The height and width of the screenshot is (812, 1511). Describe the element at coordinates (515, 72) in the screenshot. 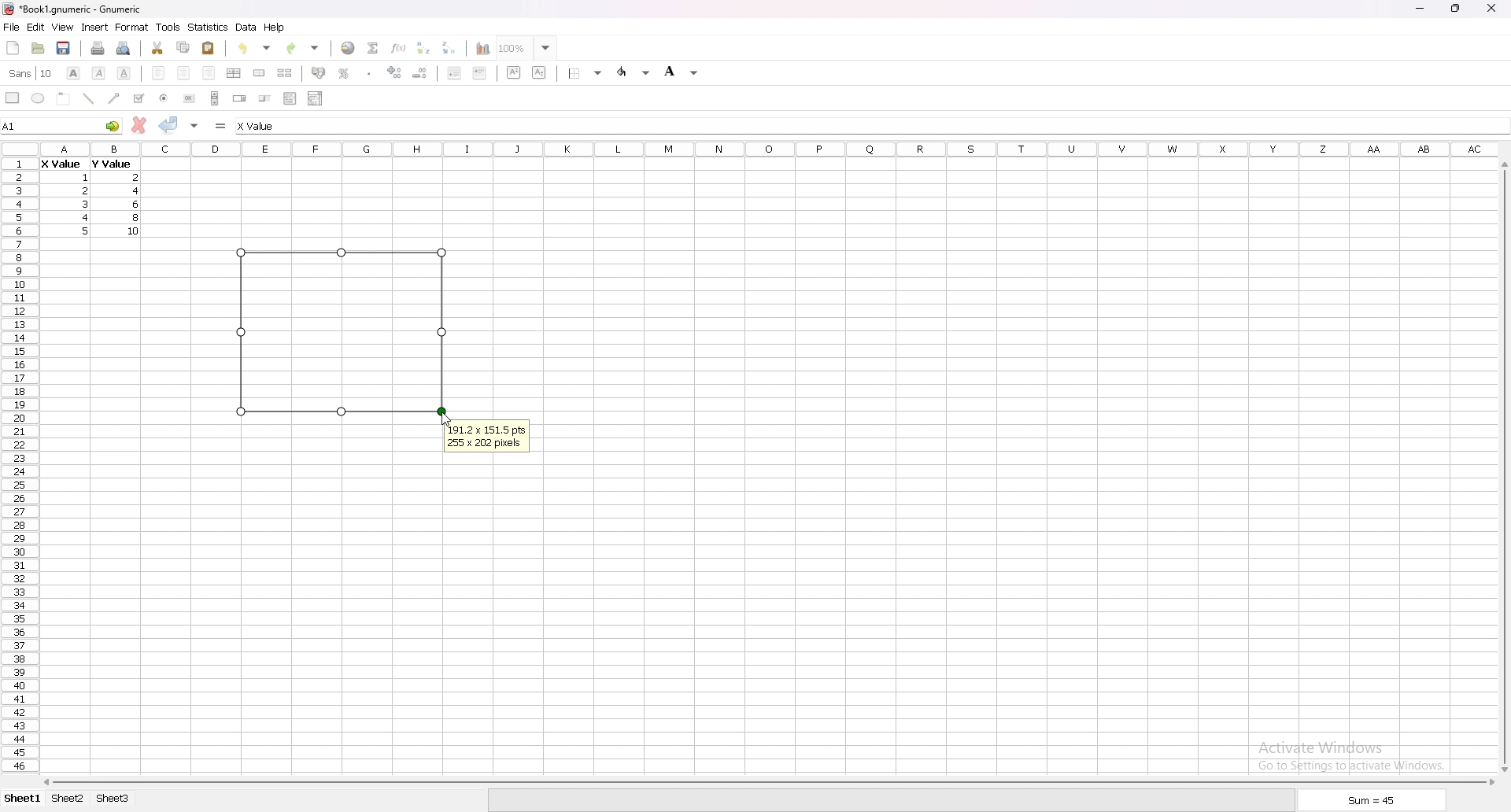

I see `superscript` at that location.